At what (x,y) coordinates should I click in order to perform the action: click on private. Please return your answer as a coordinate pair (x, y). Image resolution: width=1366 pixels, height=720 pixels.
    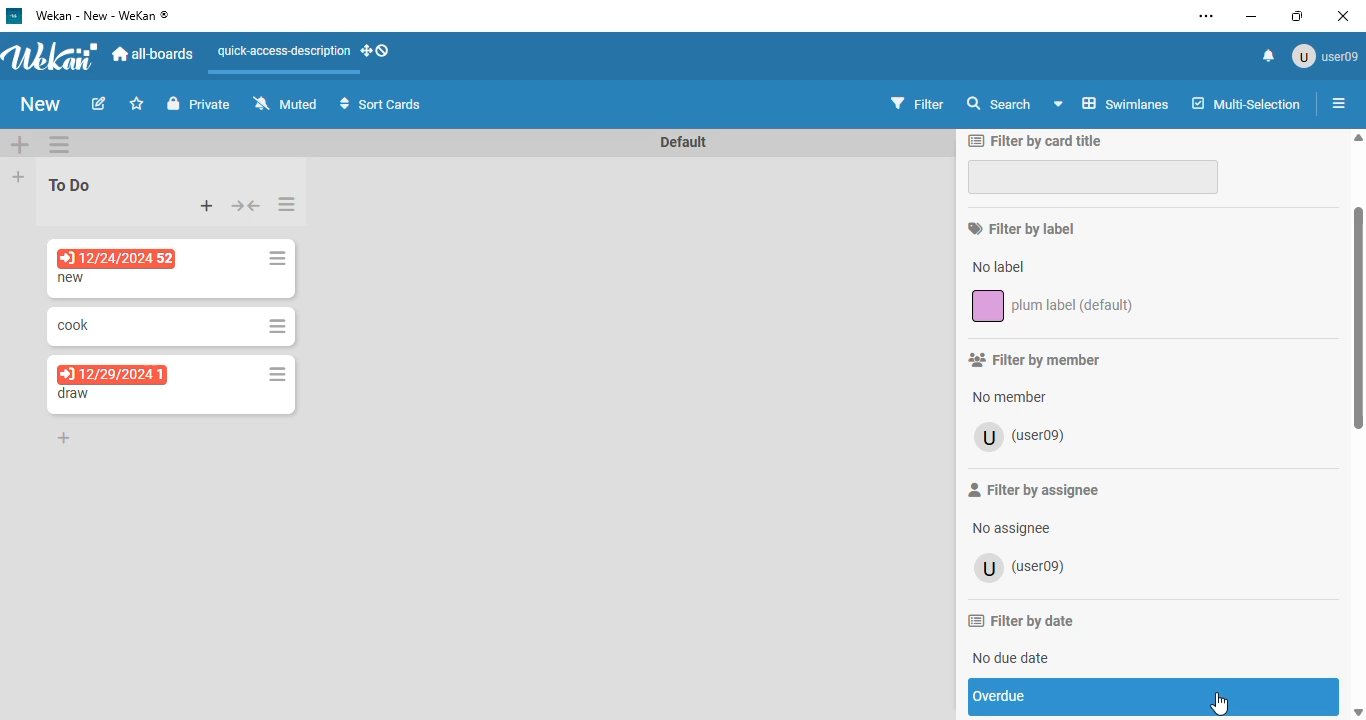
    Looking at the image, I should click on (199, 103).